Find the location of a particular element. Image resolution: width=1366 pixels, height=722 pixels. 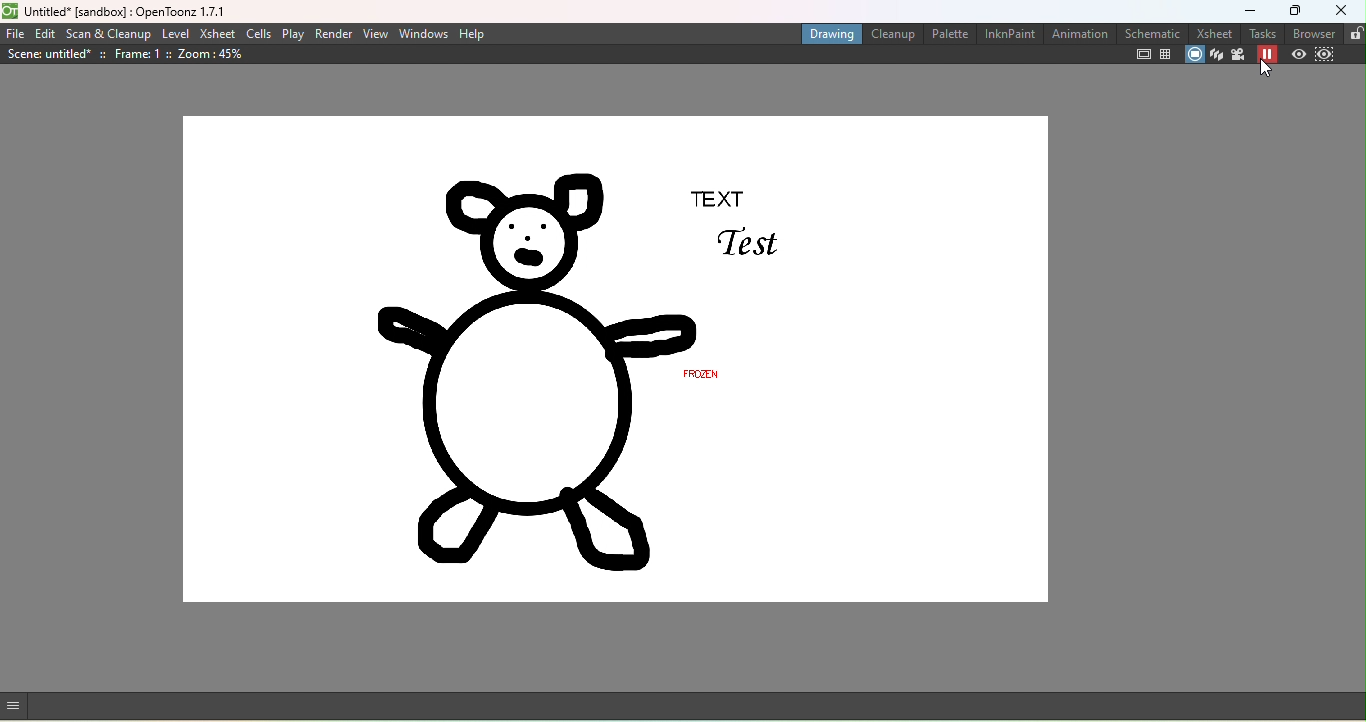

Preview is located at coordinates (1297, 55).